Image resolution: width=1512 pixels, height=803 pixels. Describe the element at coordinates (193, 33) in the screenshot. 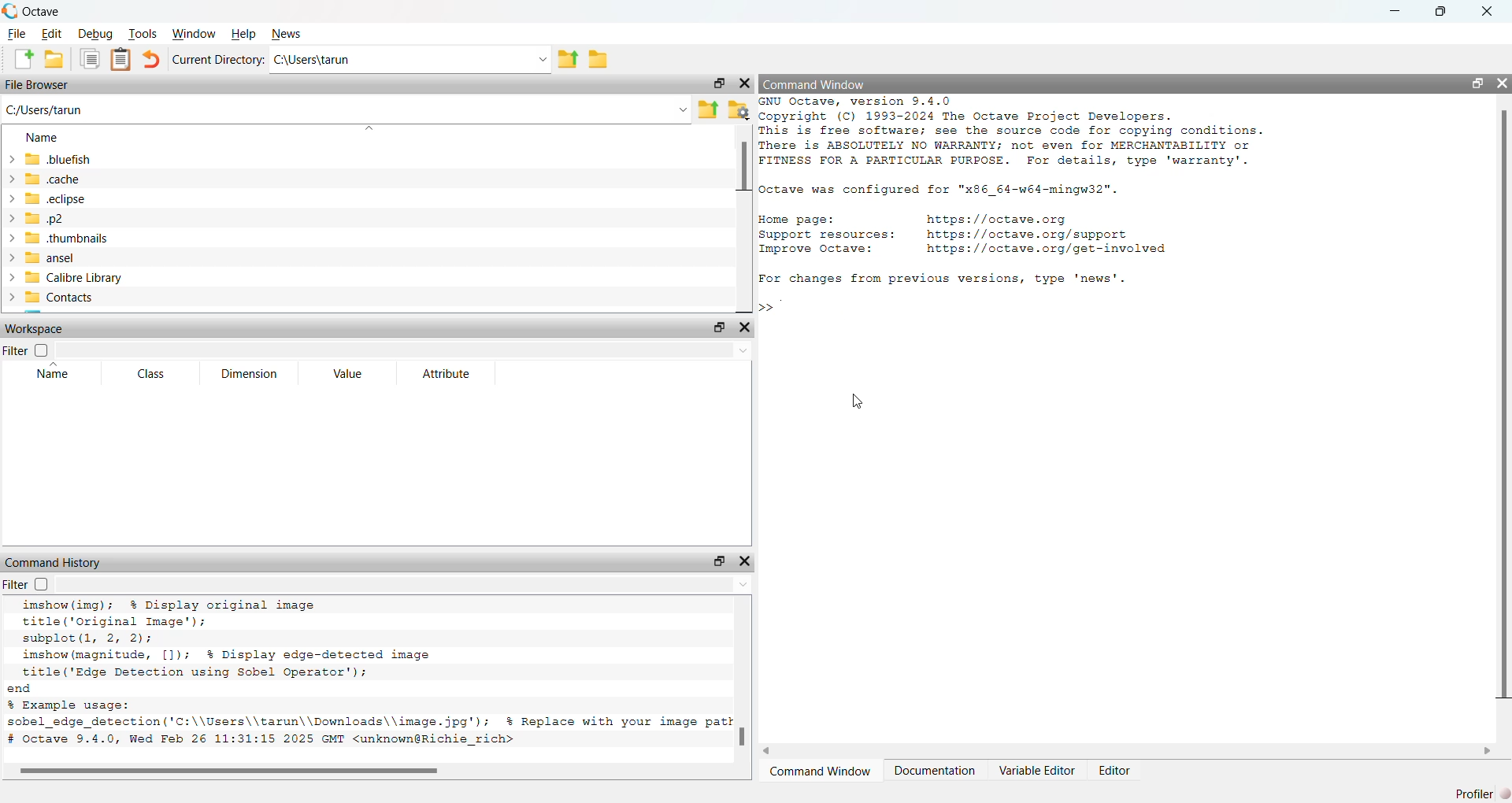

I see `Window` at that location.